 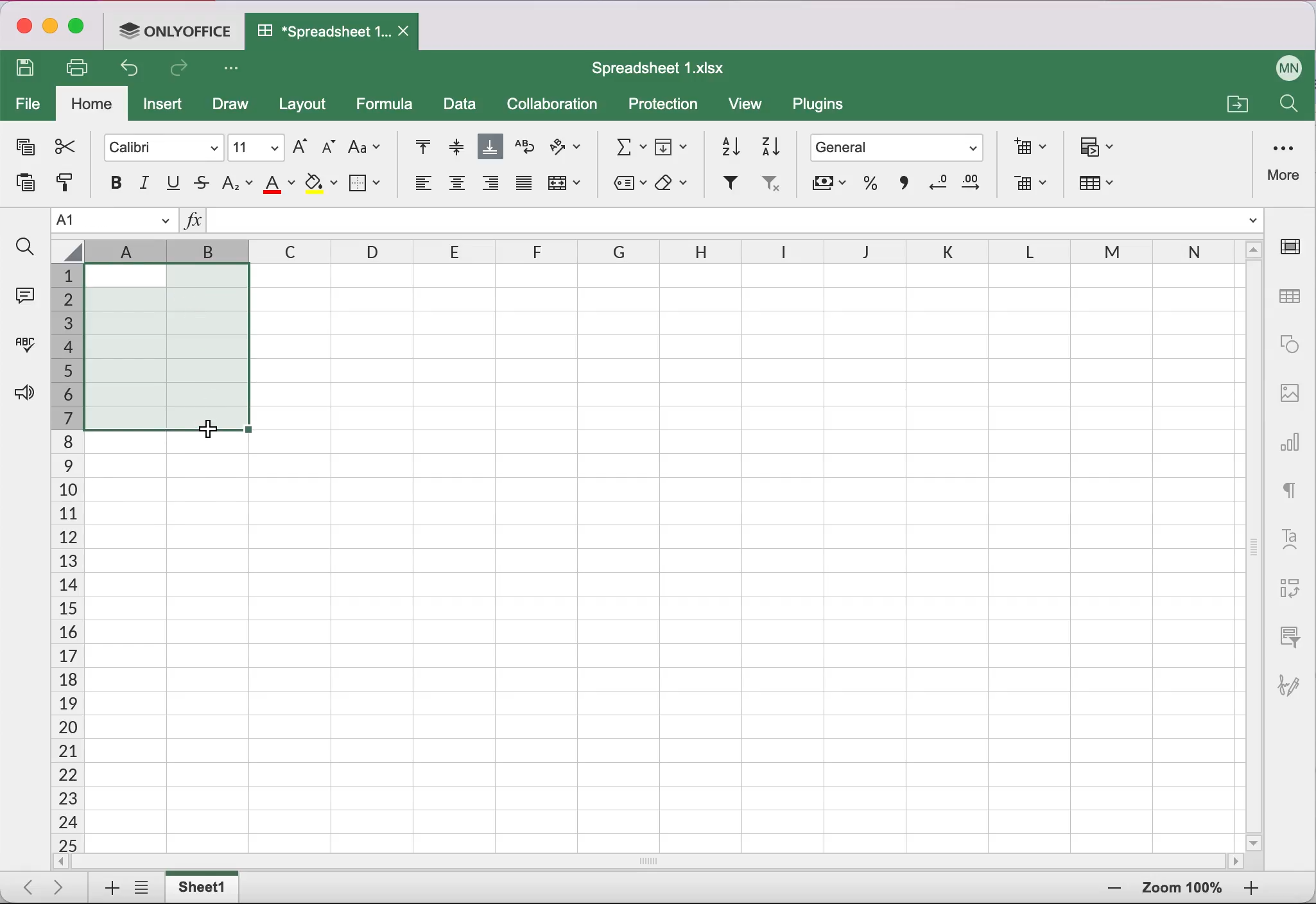 What do you see at coordinates (827, 187) in the screenshot?
I see `accounting style` at bounding box center [827, 187].